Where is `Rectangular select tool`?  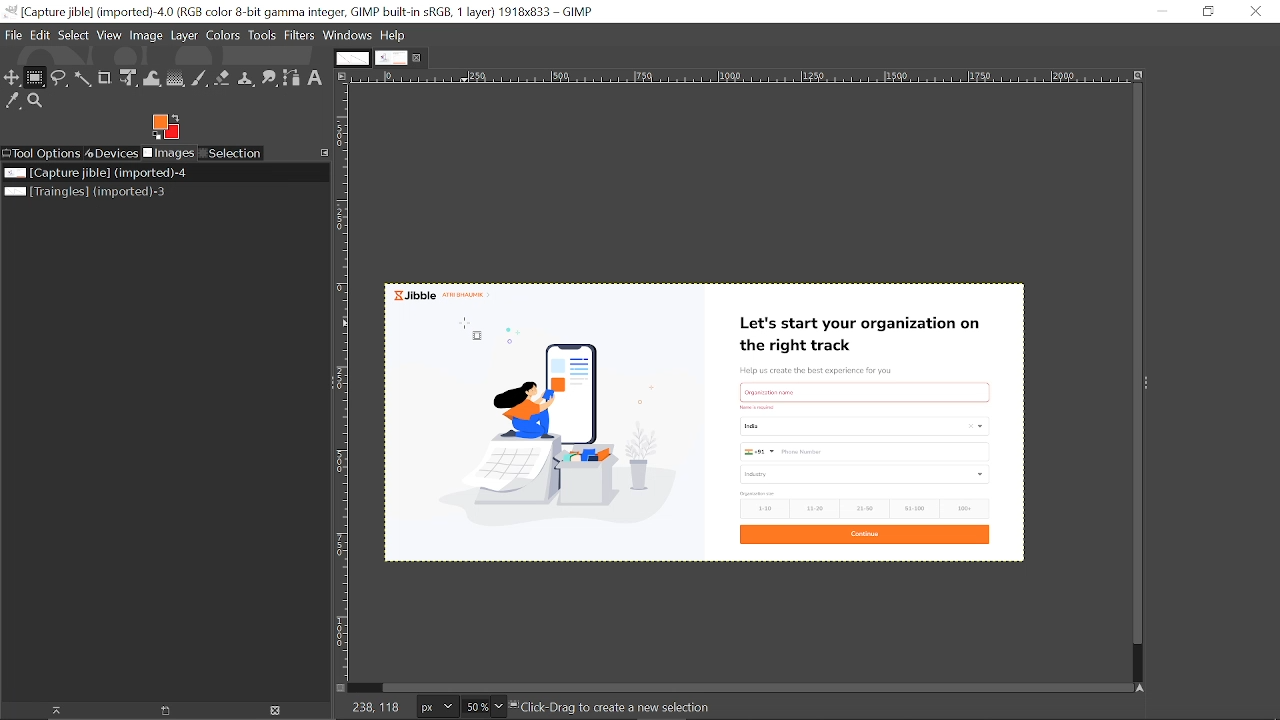
Rectangular select tool is located at coordinates (36, 79).